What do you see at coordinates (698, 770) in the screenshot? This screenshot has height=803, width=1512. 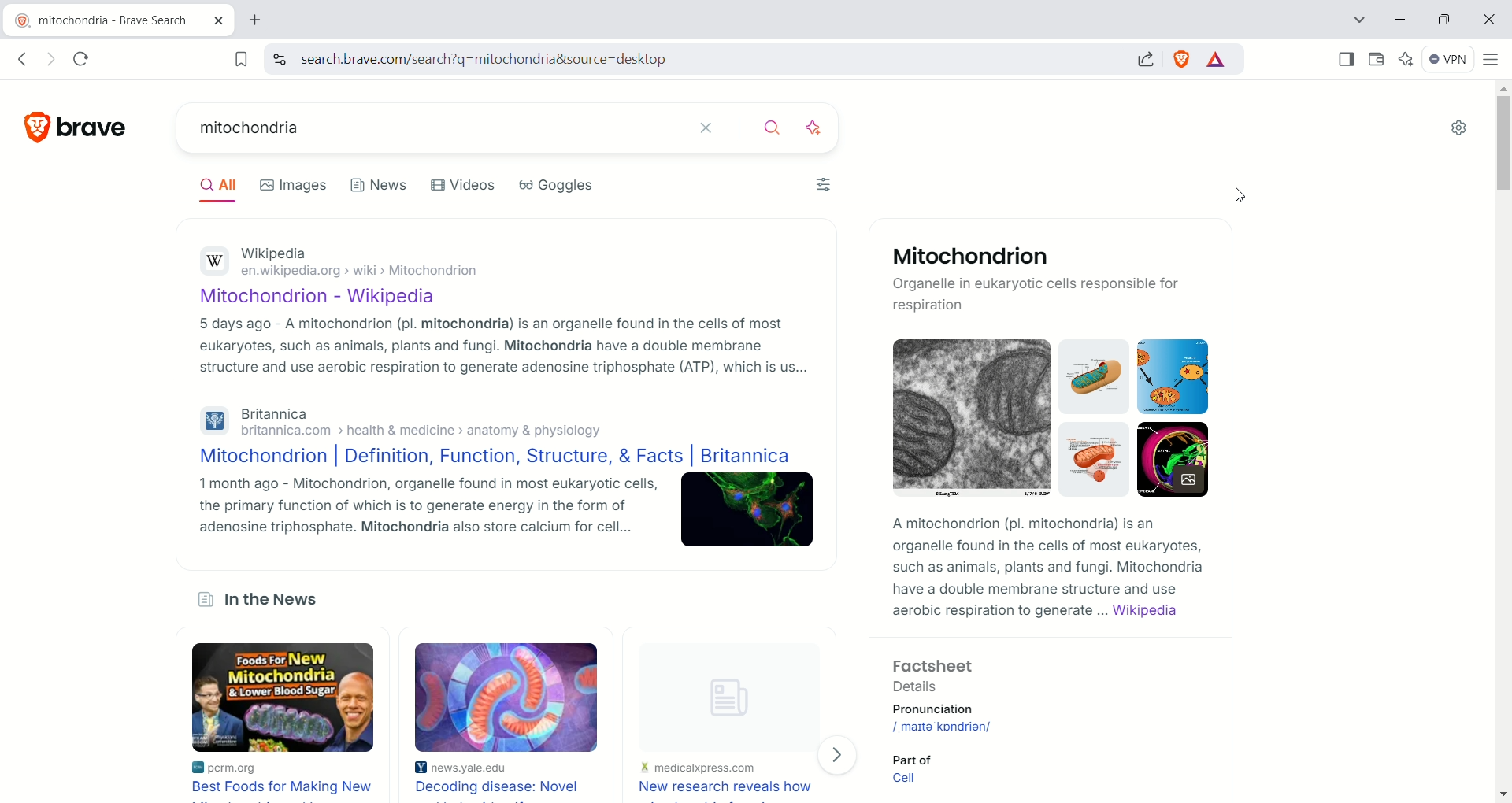 I see `medicalpress.com` at bounding box center [698, 770].